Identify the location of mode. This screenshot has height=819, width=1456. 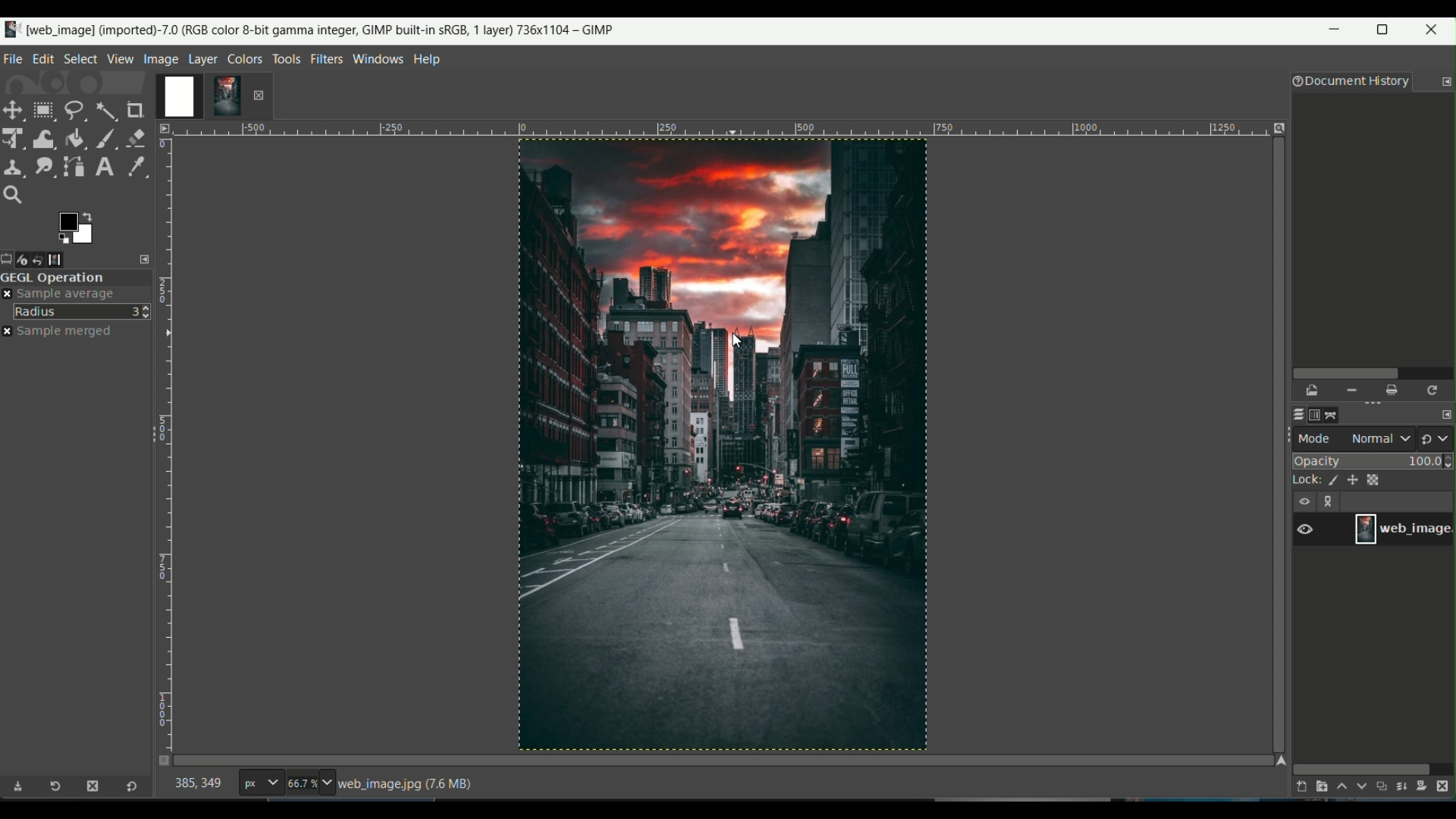
(1355, 438).